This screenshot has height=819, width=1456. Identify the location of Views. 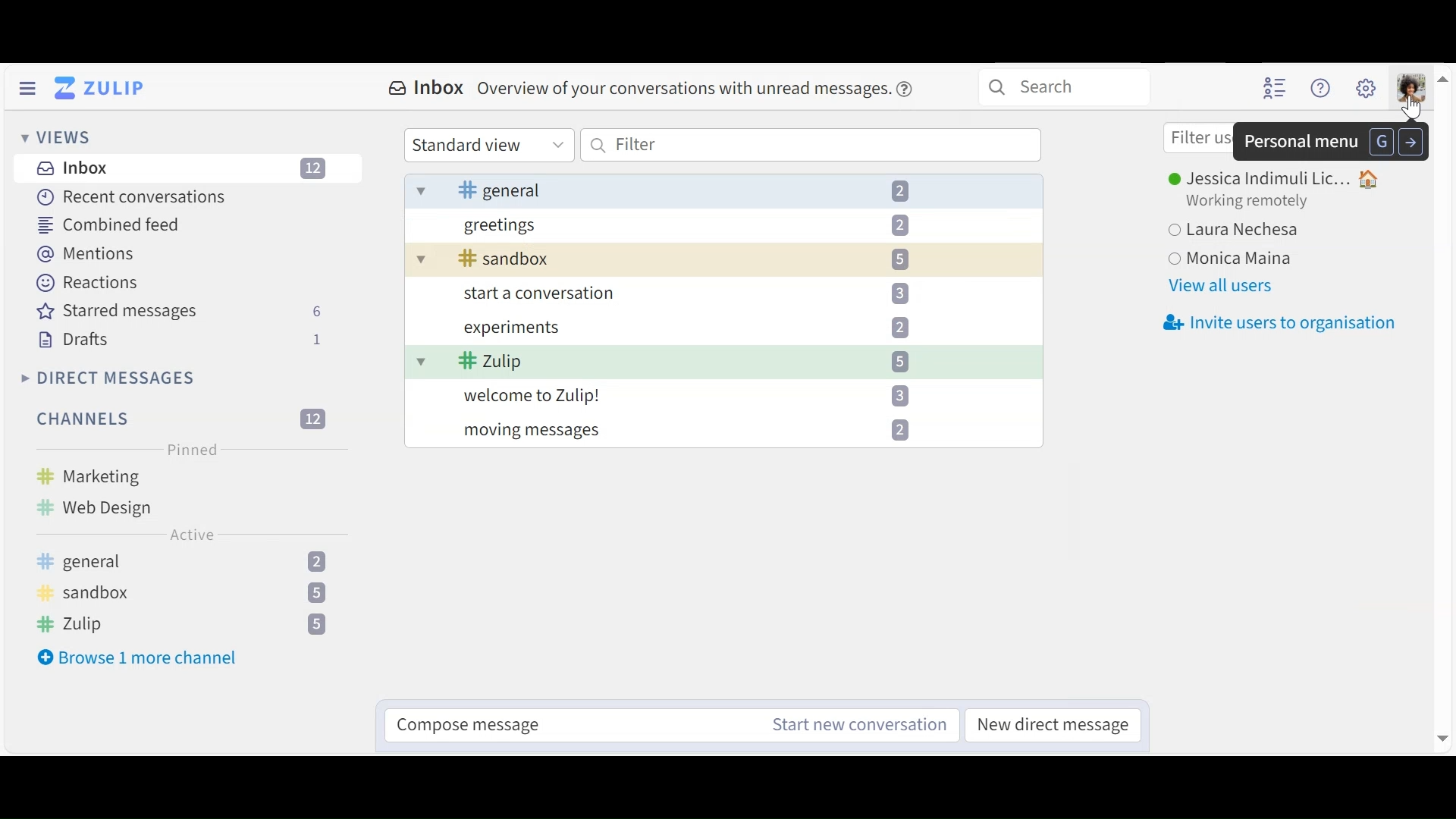
(53, 137).